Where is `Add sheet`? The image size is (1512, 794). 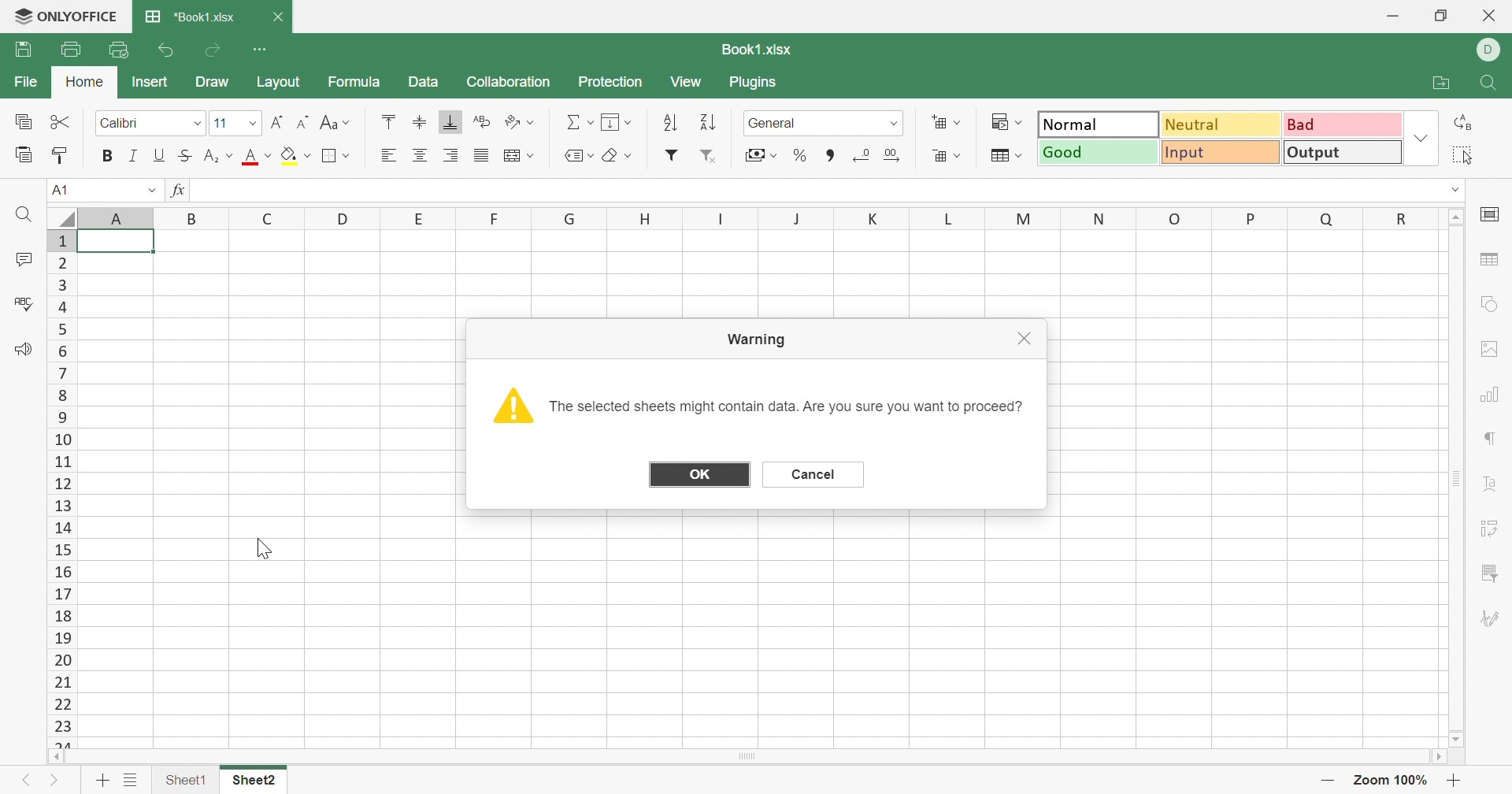 Add sheet is located at coordinates (102, 779).